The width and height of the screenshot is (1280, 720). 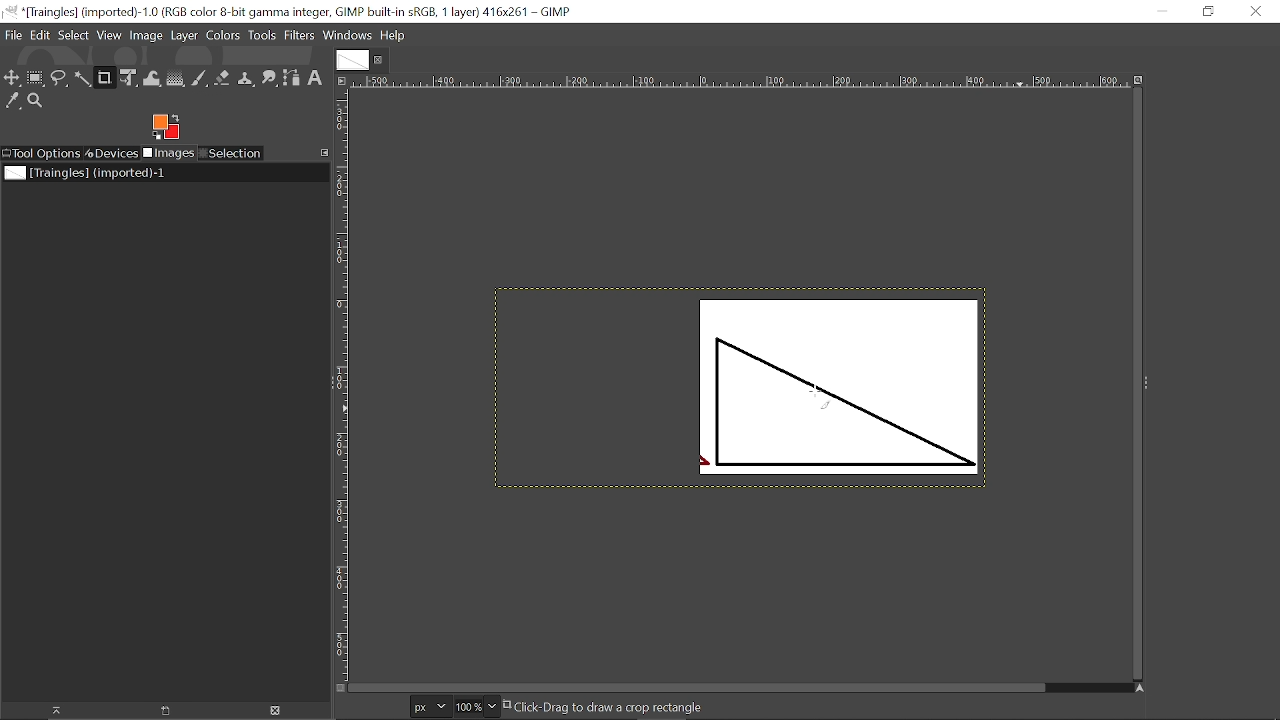 What do you see at coordinates (342, 381) in the screenshot?
I see `Vertical ruler` at bounding box center [342, 381].